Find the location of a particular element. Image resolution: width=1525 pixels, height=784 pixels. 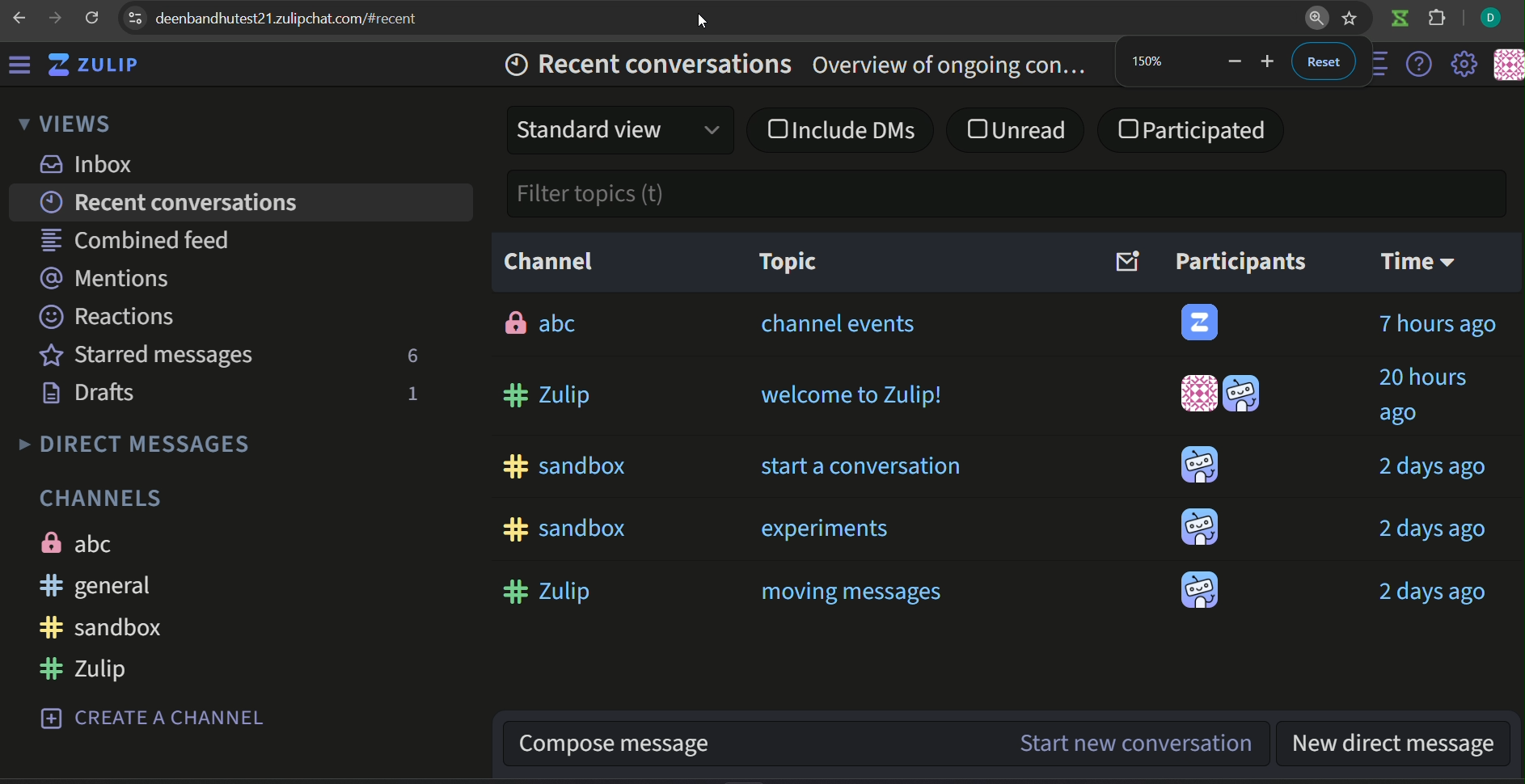

2 days ago is located at coordinates (1431, 467).